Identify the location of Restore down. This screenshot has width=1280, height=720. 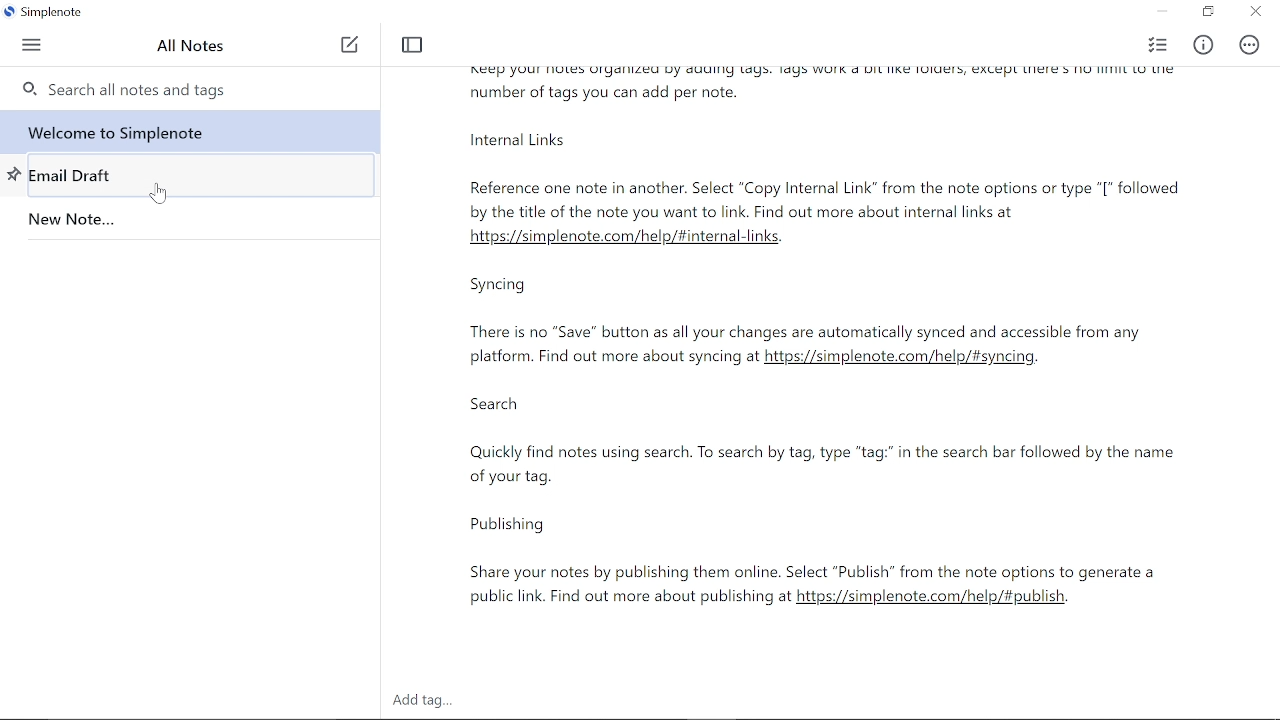
(1208, 13).